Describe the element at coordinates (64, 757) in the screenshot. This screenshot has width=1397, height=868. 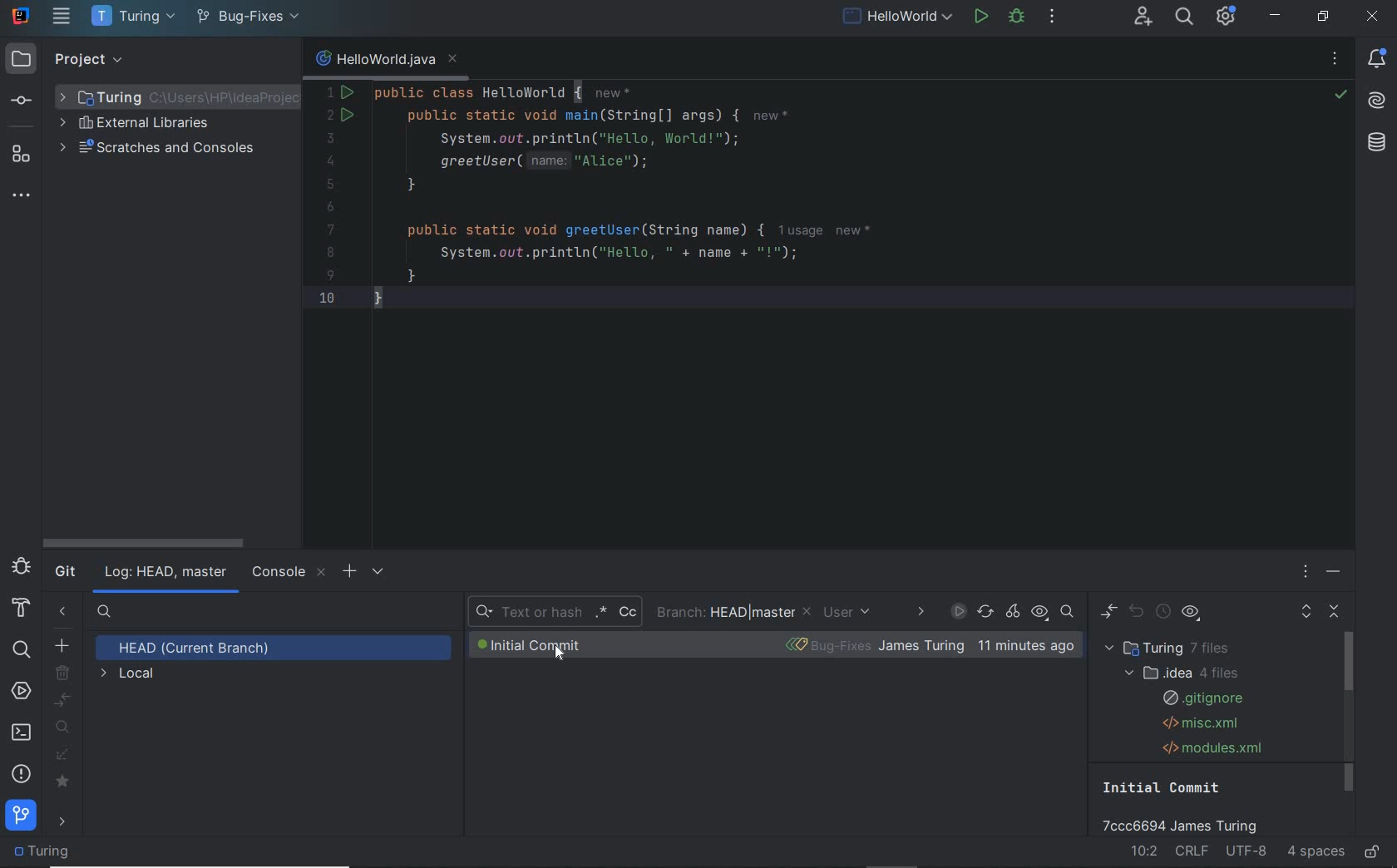
I see `fetch all remotes` at that location.